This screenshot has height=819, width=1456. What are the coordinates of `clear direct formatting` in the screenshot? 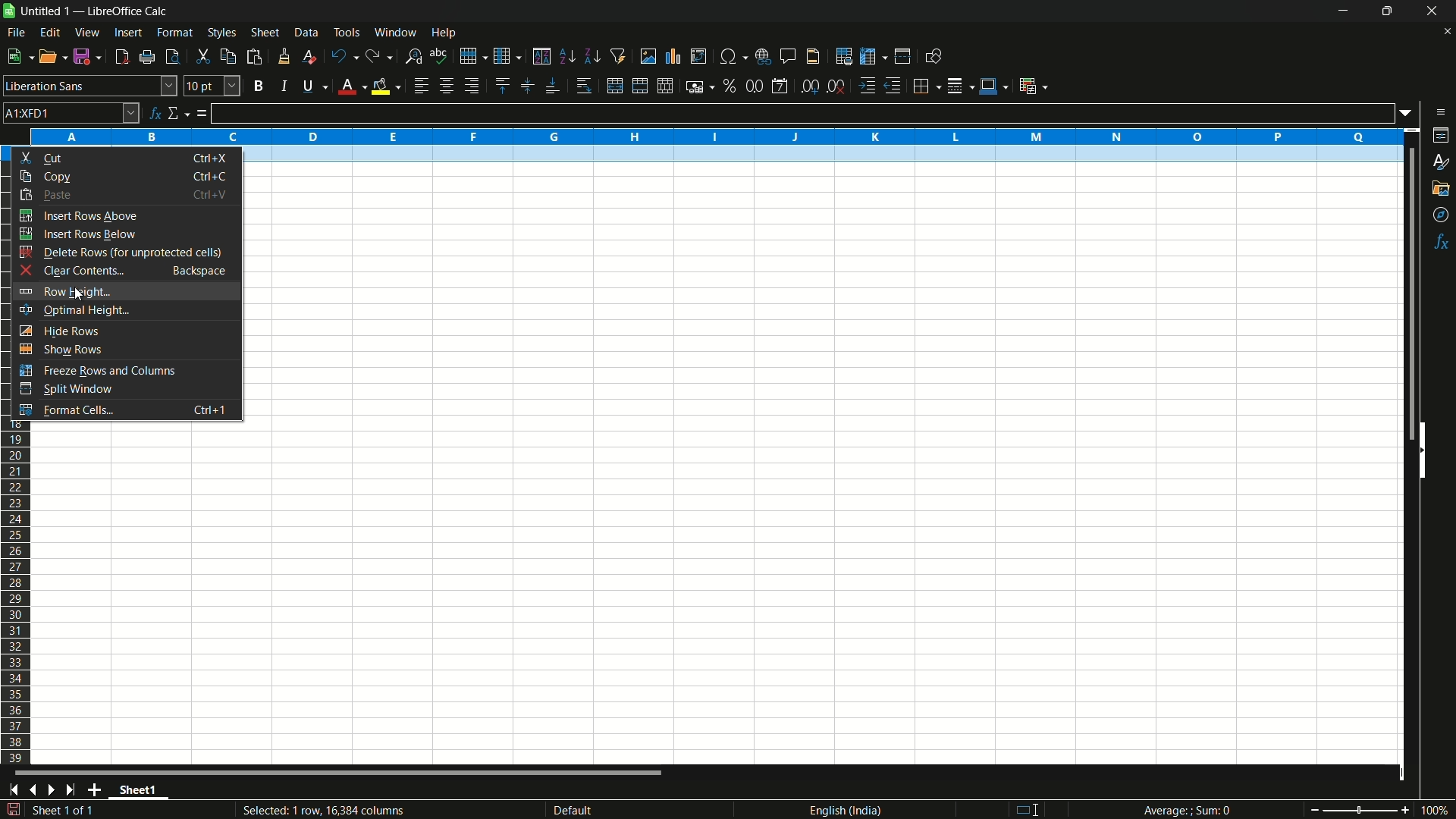 It's located at (307, 56).